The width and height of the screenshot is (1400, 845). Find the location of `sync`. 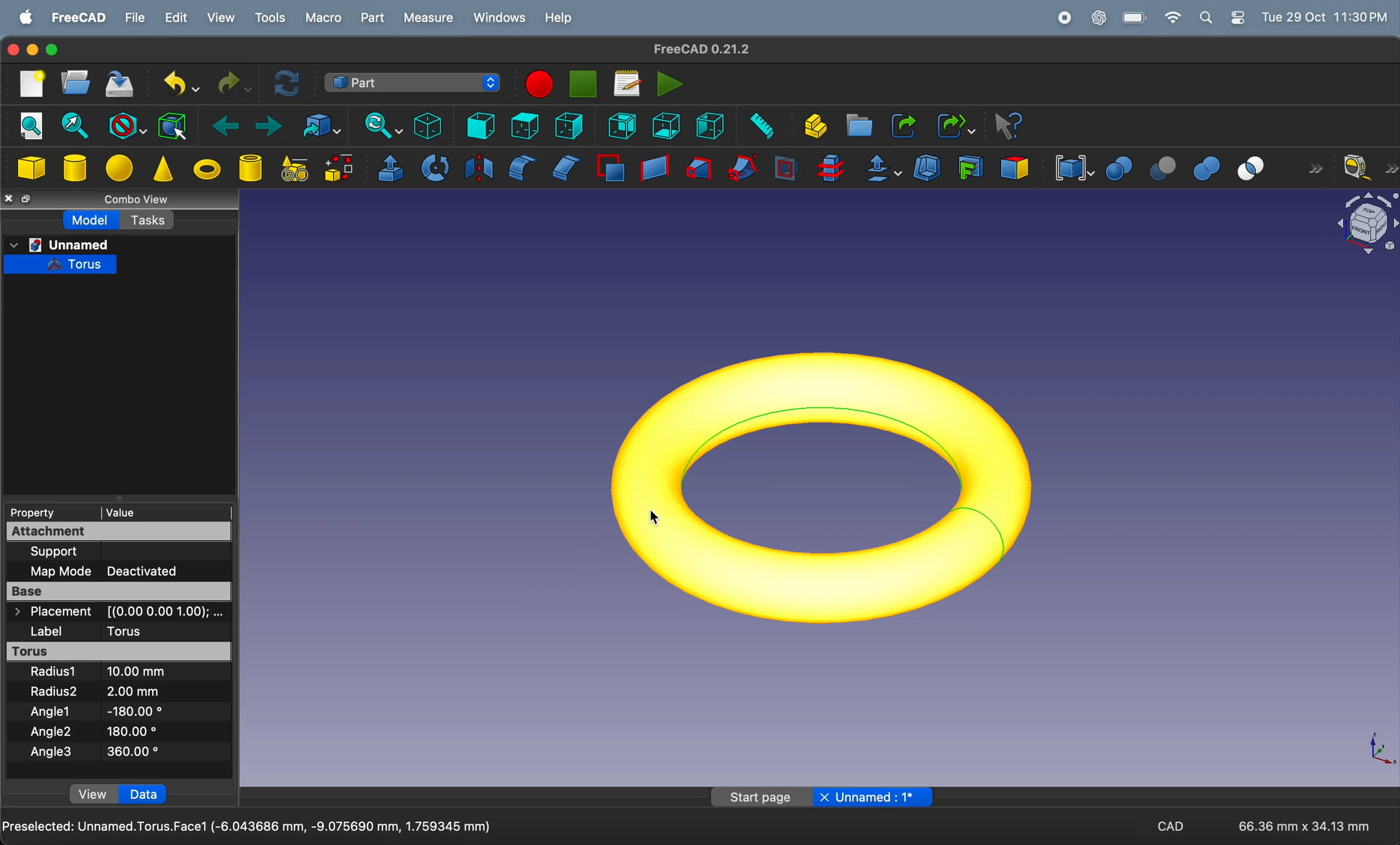

sync is located at coordinates (377, 124).